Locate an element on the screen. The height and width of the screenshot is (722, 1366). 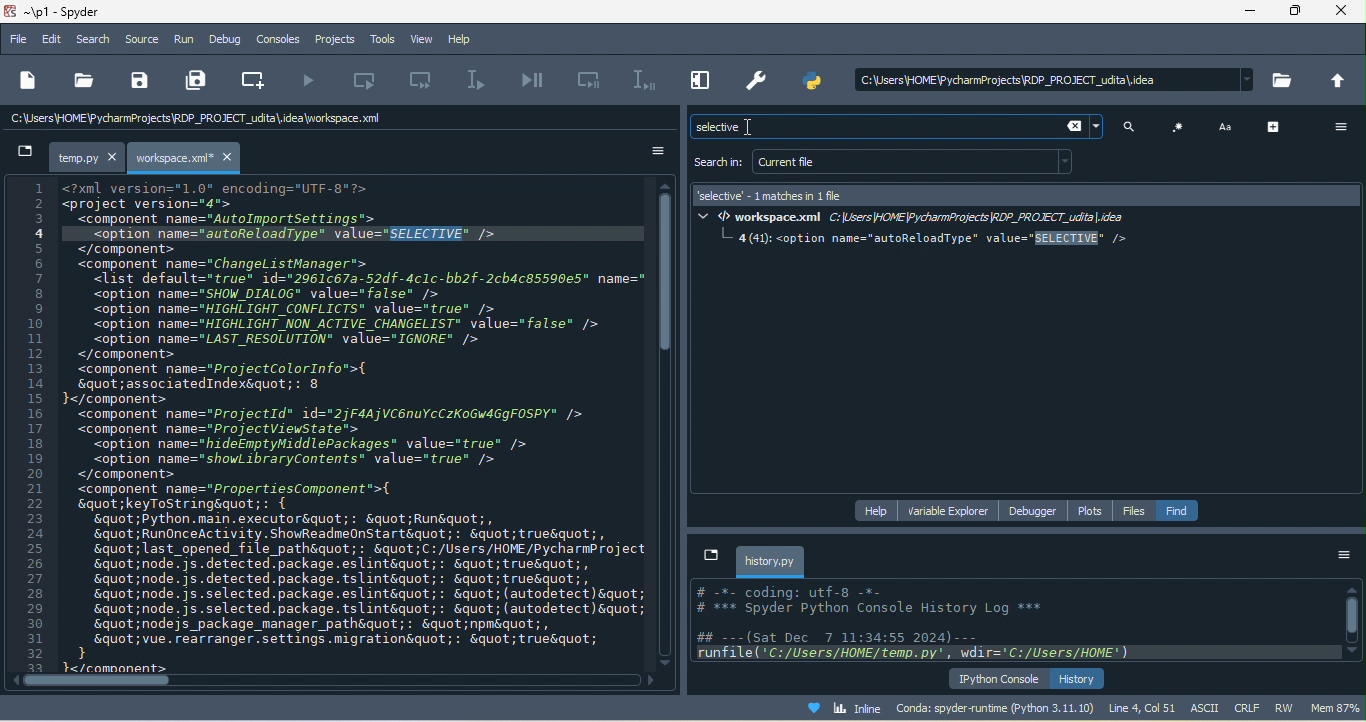
option is located at coordinates (648, 151).